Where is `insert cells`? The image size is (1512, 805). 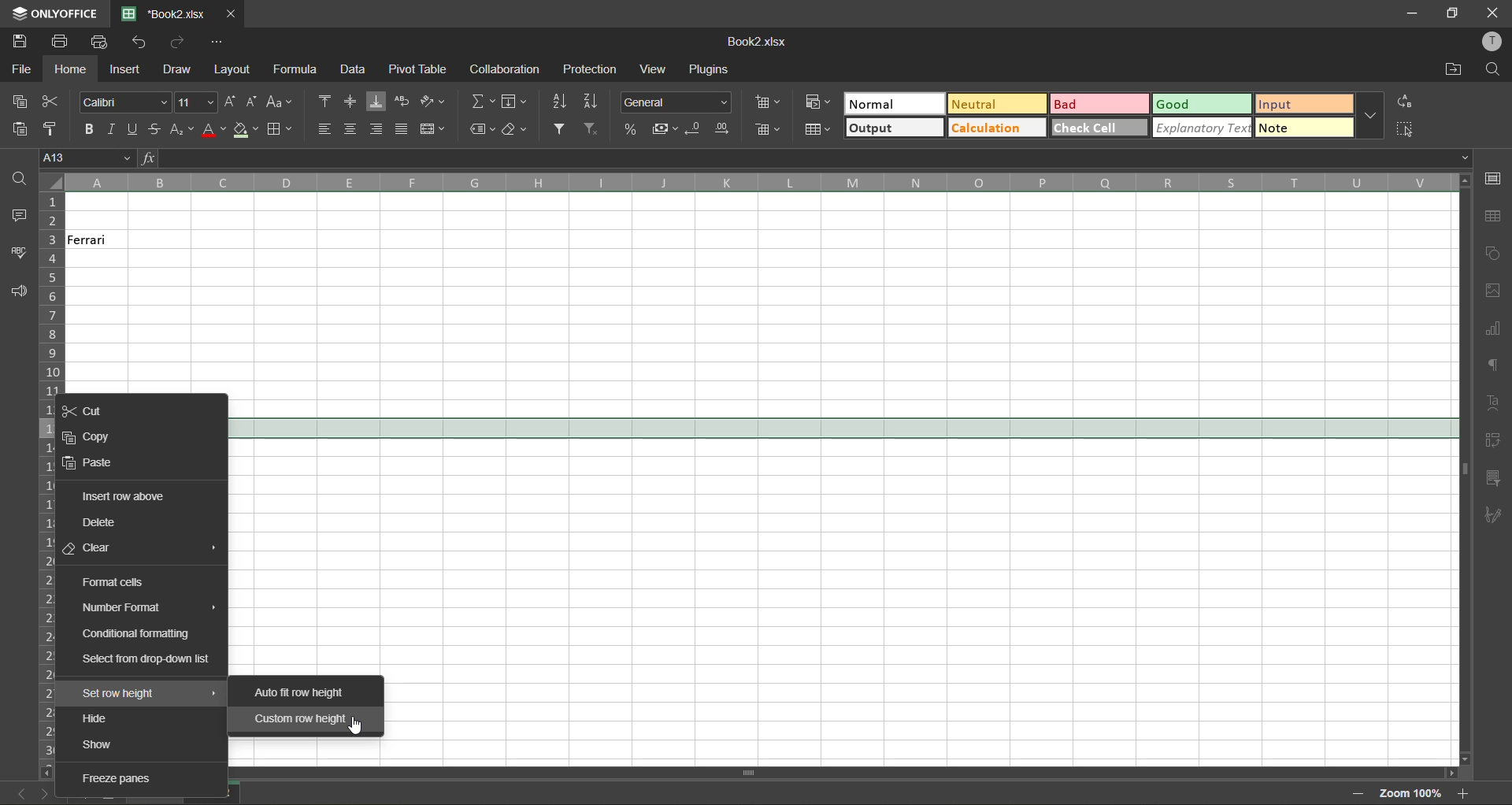 insert cells is located at coordinates (769, 103).